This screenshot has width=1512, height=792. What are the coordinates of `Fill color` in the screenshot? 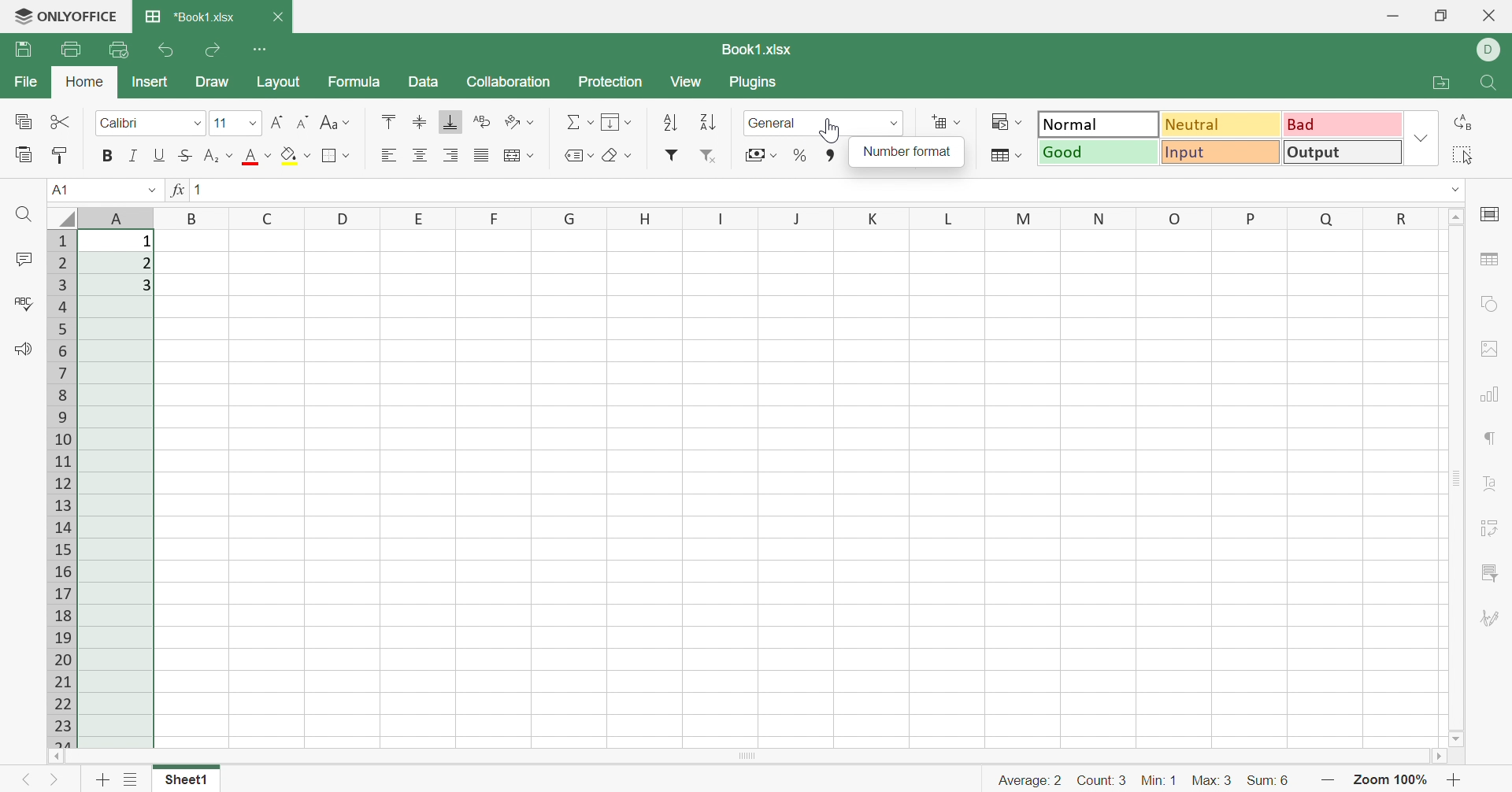 It's located at (295, 154).